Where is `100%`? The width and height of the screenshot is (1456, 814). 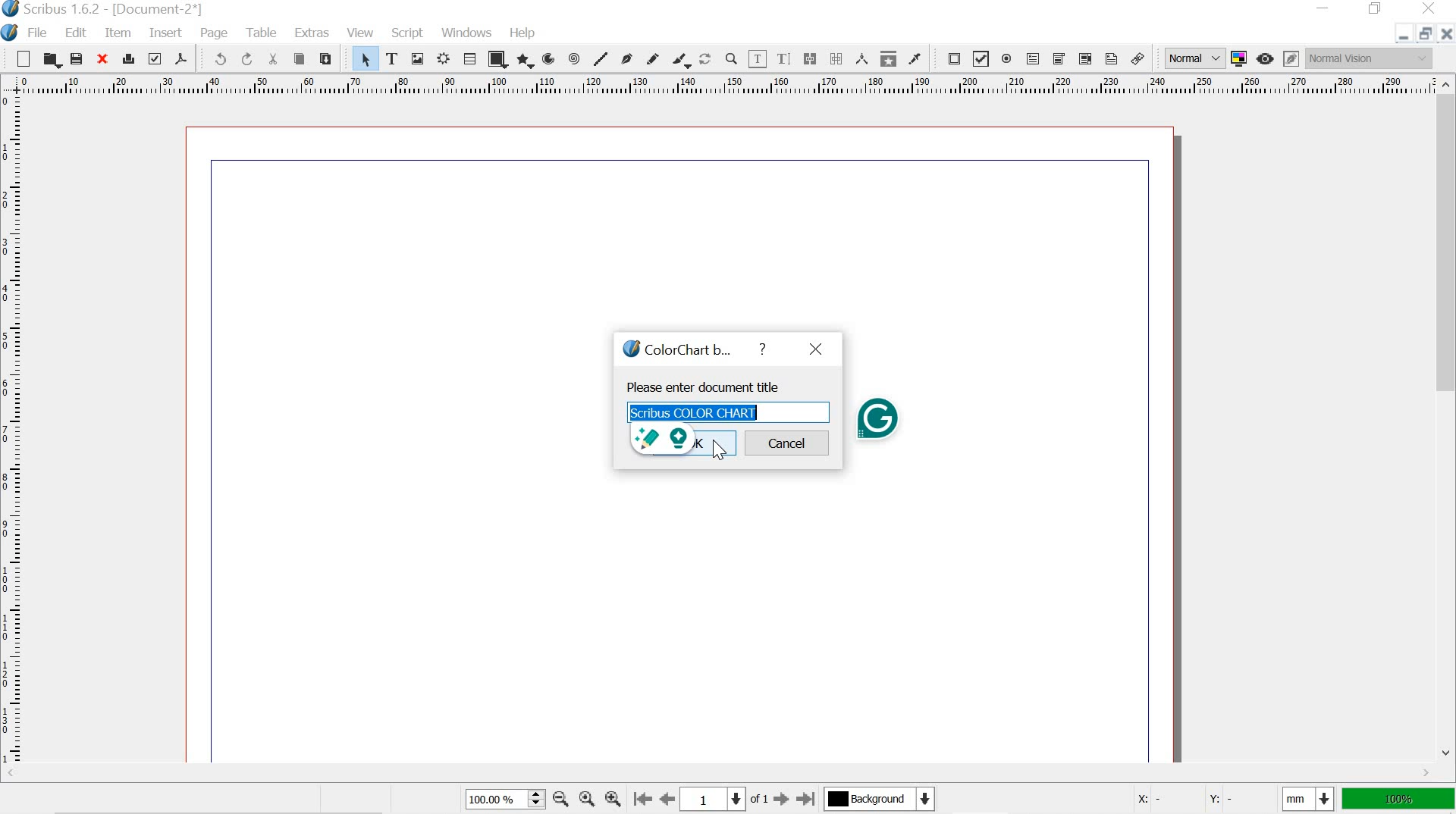
100% is located at coordinates (1398, 799).